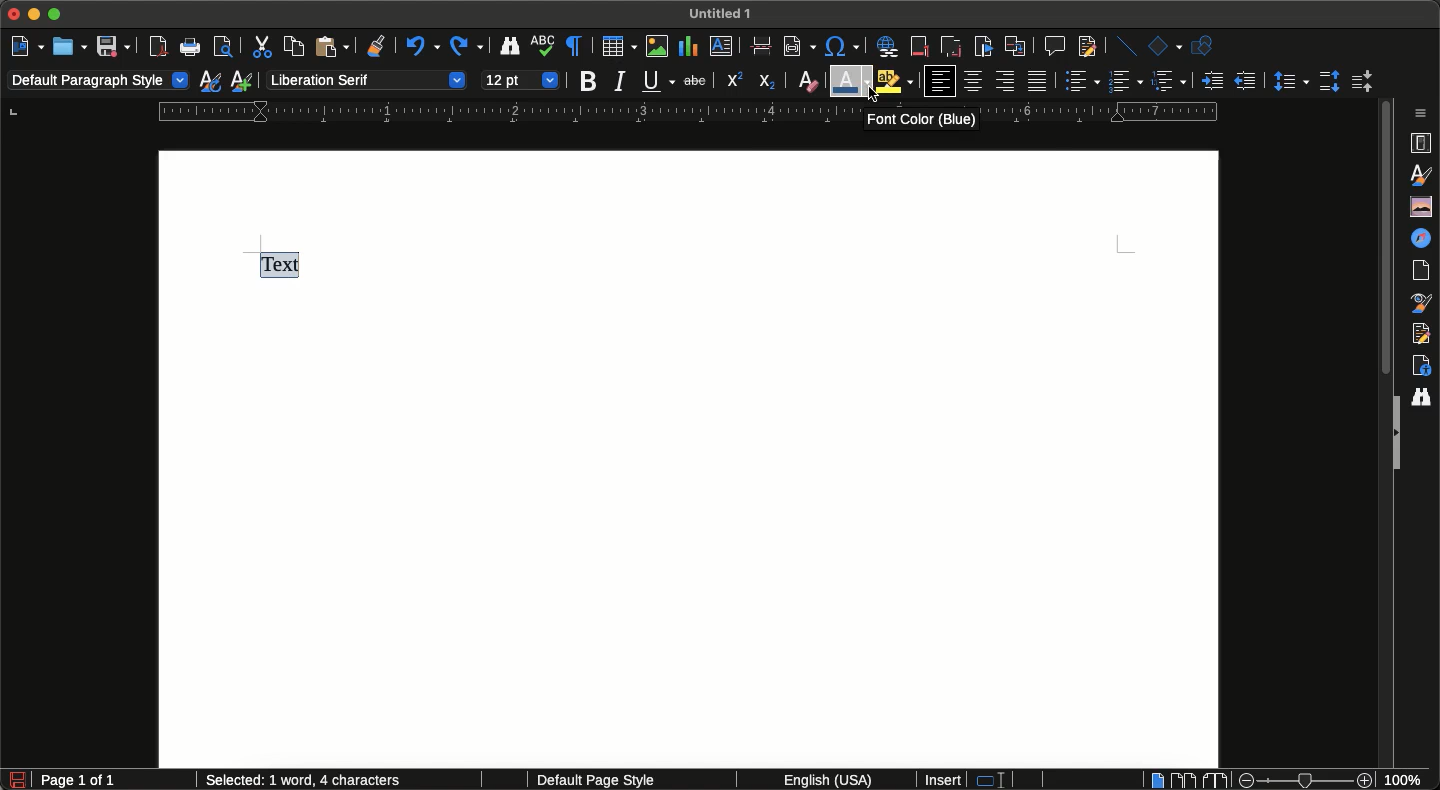  What do you see at coordinates (887, 44) in the screenshot?
I see `Insert hyperlink` at bounding box center [887, 44].